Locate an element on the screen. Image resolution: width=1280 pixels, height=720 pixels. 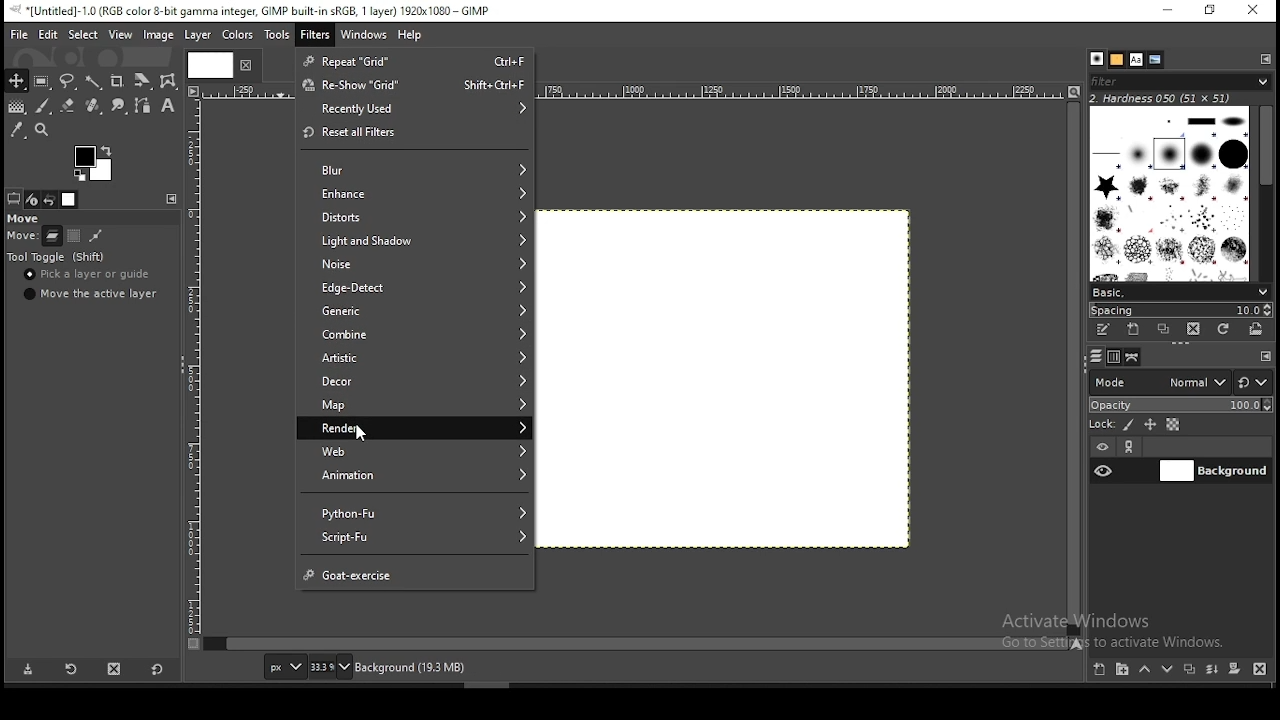
light and shadow is located at coordinates (415, 239).